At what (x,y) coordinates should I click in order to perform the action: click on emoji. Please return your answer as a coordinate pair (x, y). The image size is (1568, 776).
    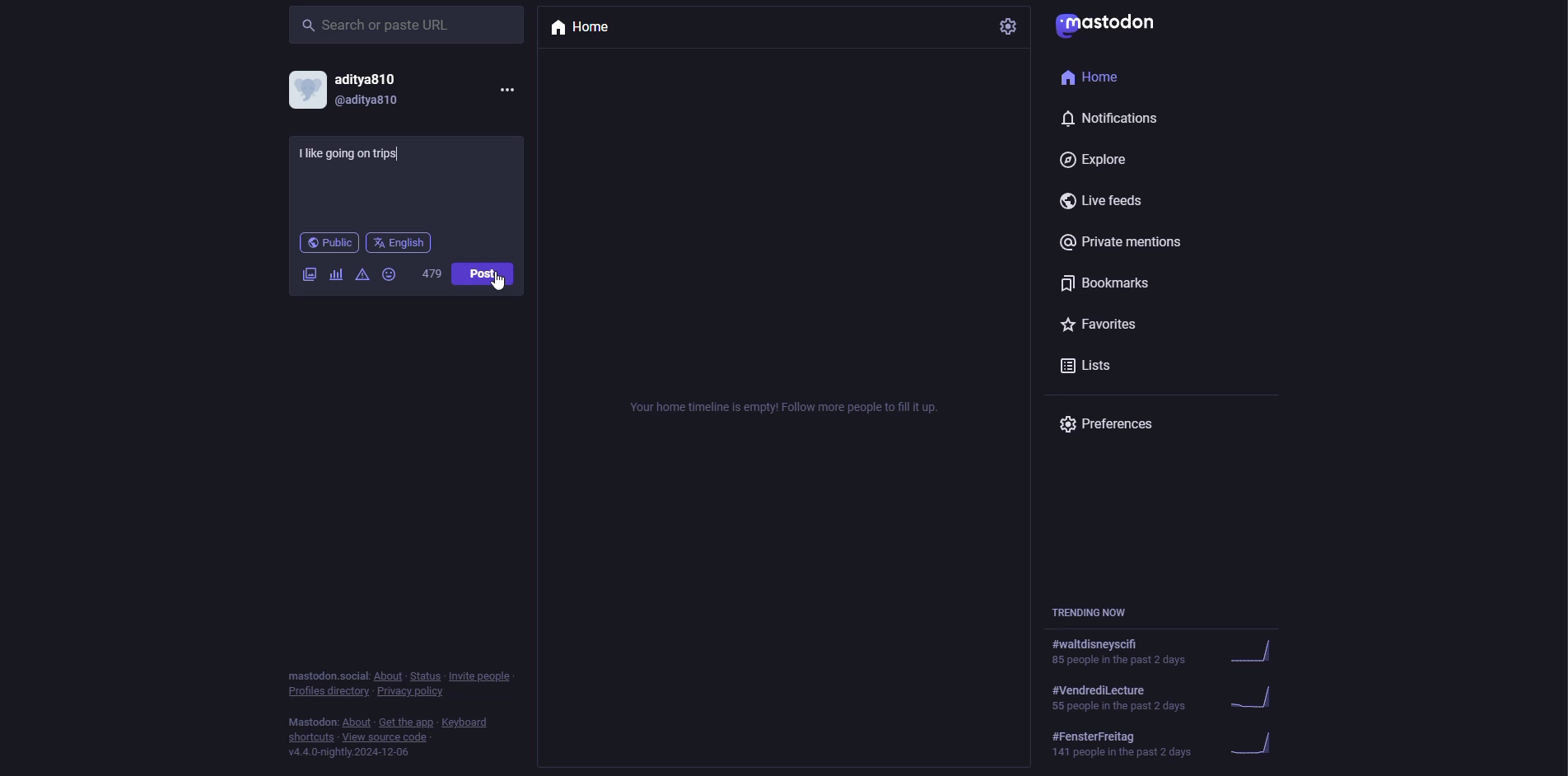
    Looking at the image, I should click on (390, 273).